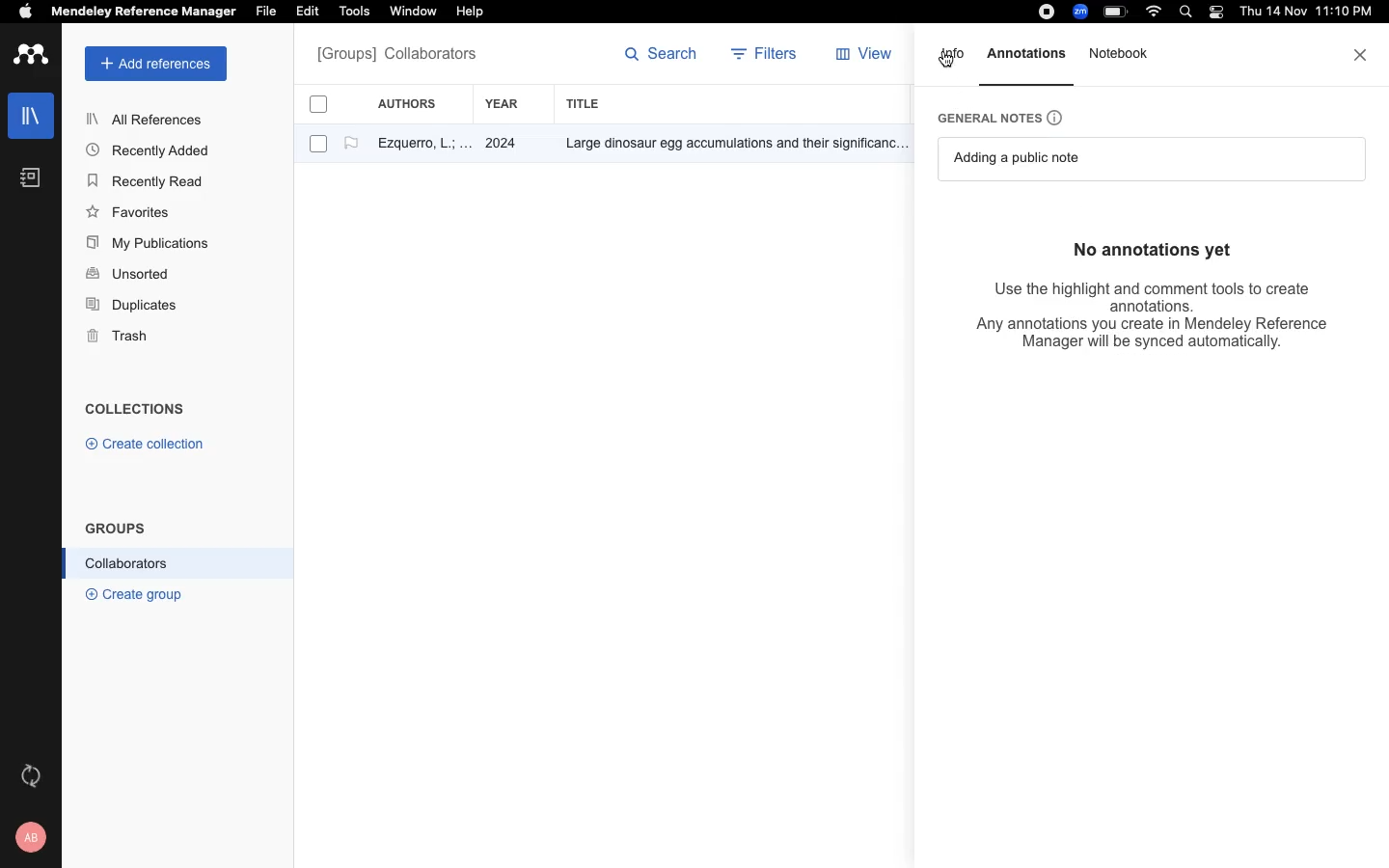 The width and height of the screenshot is (1389, 868). I want to click on add references, so click(156, 64).